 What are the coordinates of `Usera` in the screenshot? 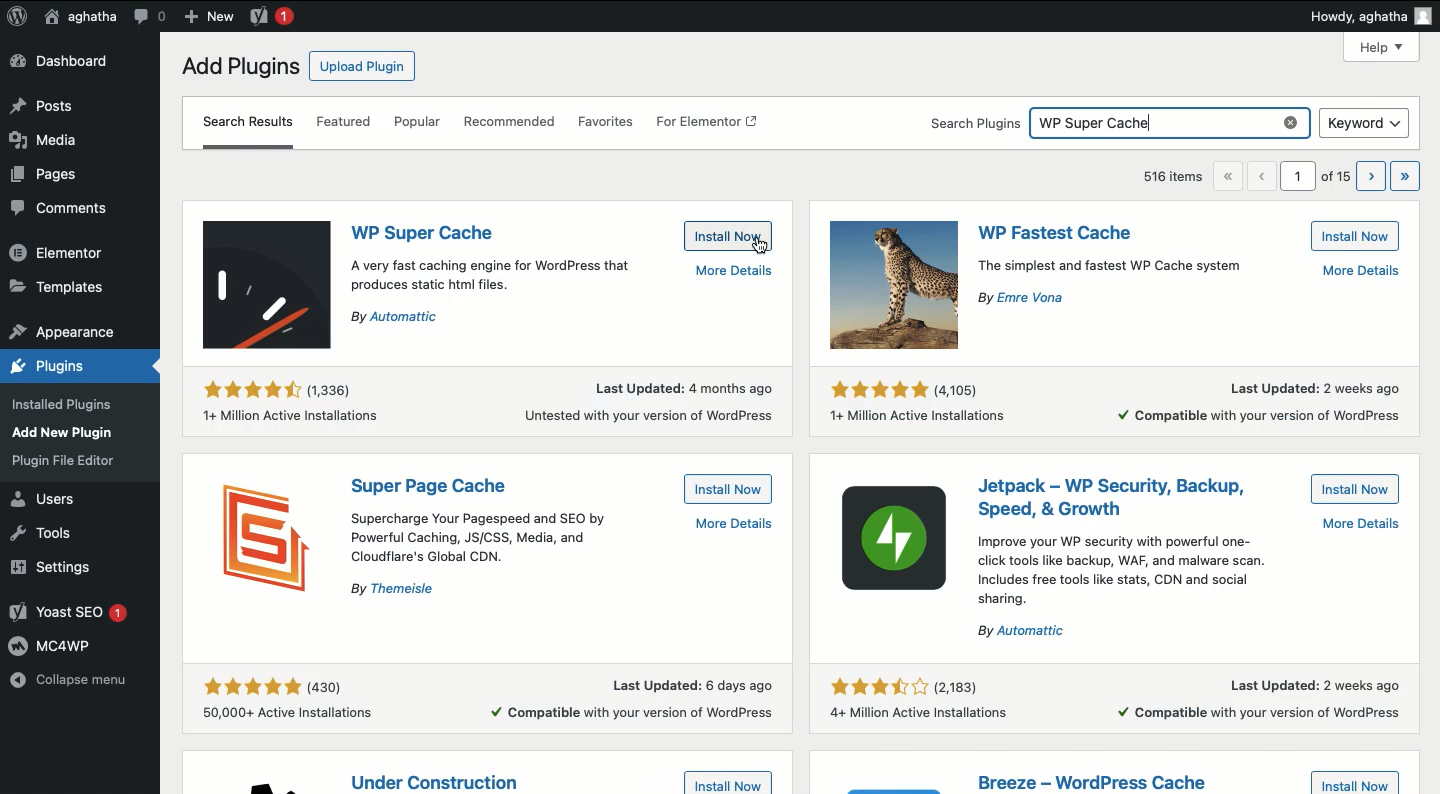 It's located at (80, 17).